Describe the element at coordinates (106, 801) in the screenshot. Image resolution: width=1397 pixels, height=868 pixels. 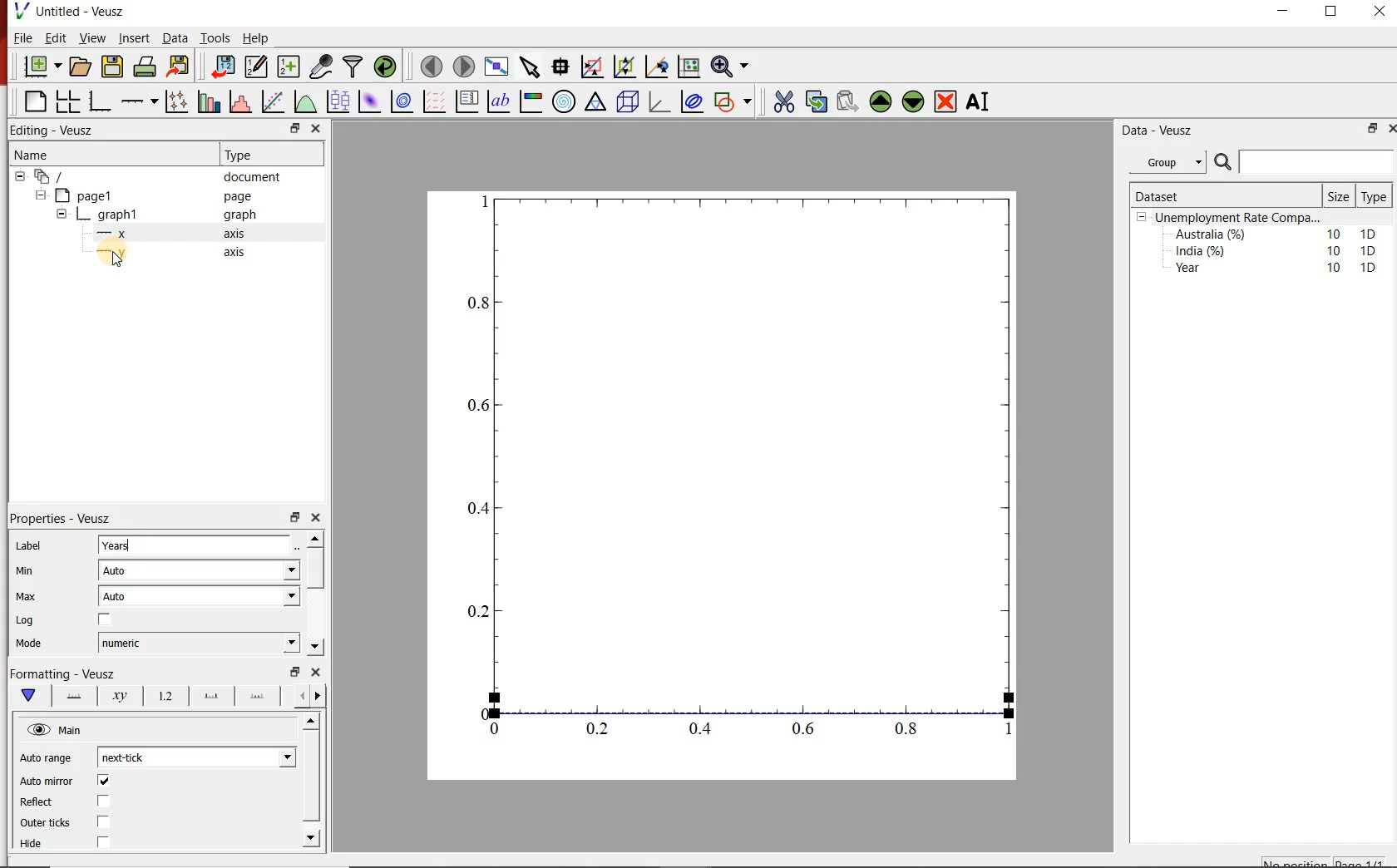
I see `checkbox` at that location.